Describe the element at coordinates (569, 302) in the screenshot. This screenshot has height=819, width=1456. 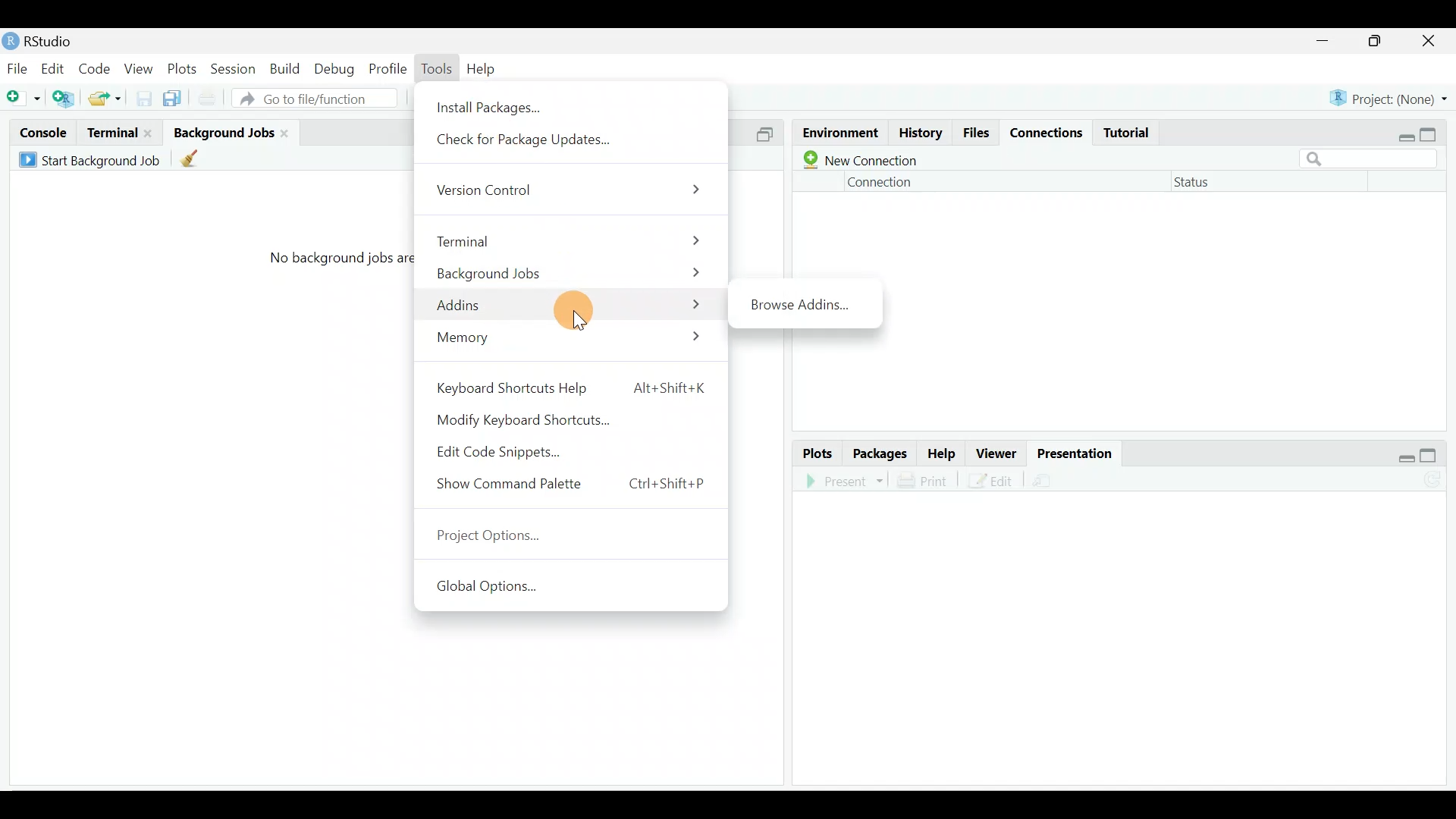
I see `Addins >` at that location.